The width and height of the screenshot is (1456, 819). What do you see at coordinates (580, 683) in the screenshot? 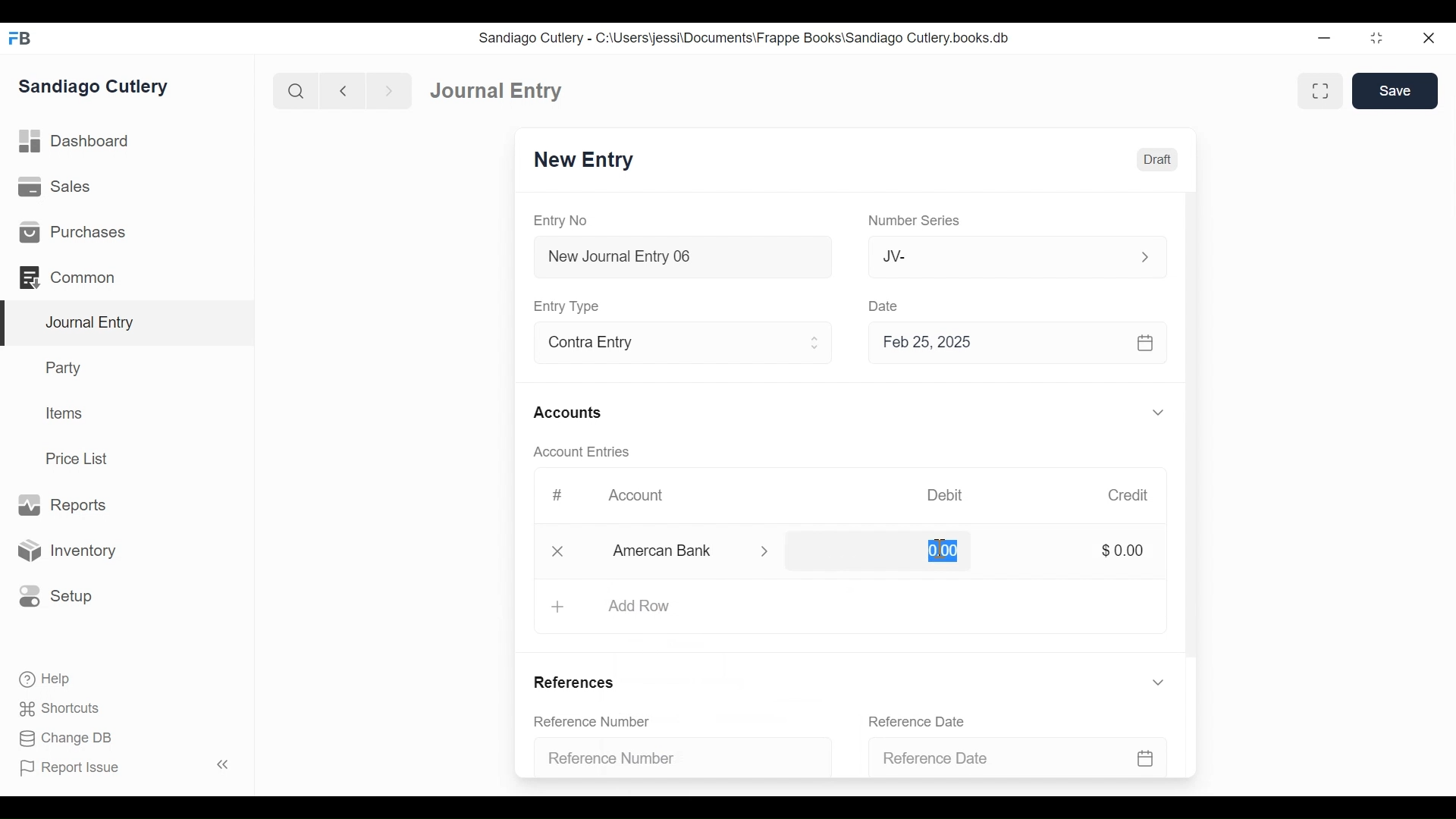
I see `References` at bounding box center [580, 683].